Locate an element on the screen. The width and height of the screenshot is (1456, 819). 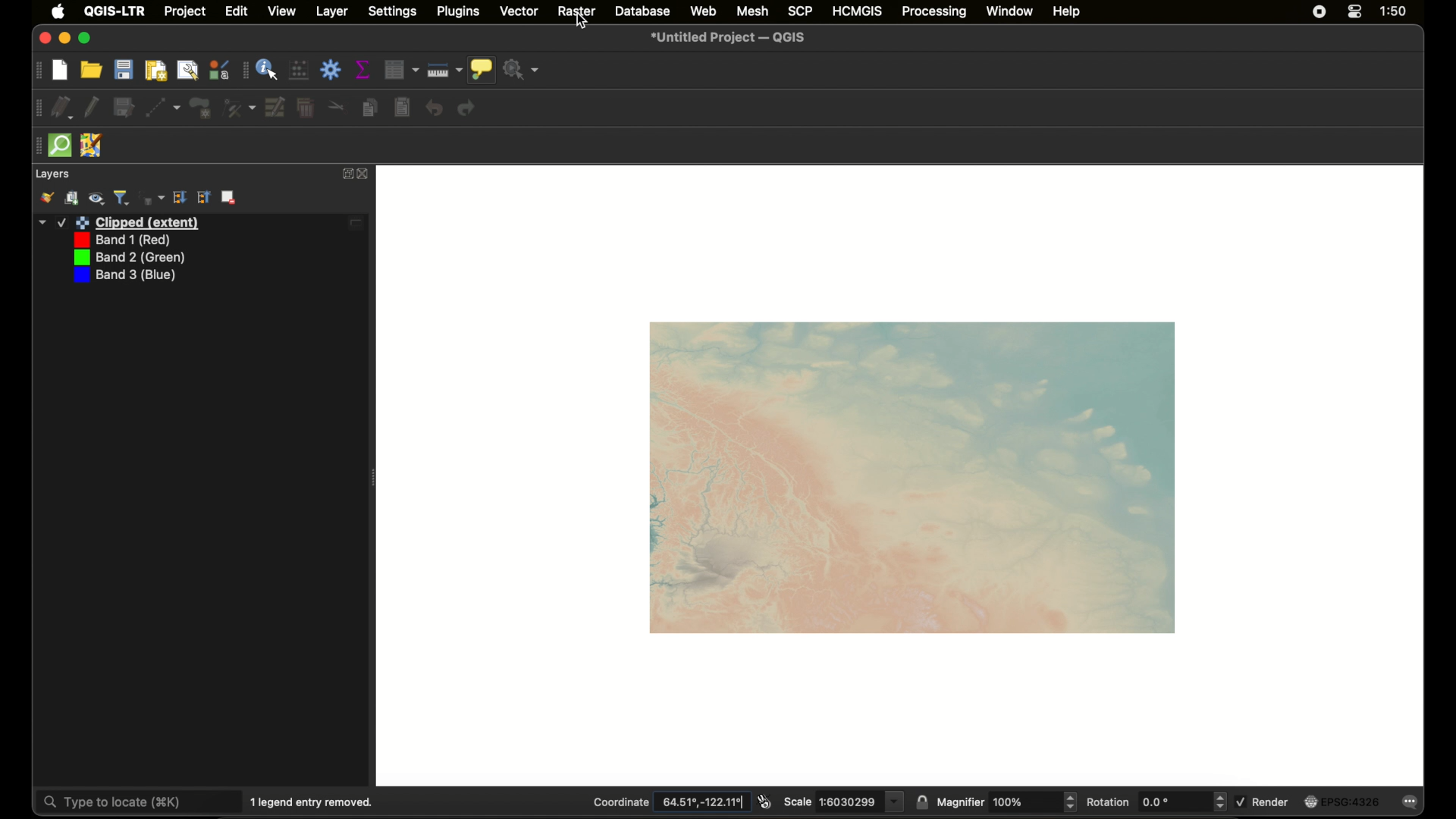
expand is located at coordinates (346, 174).